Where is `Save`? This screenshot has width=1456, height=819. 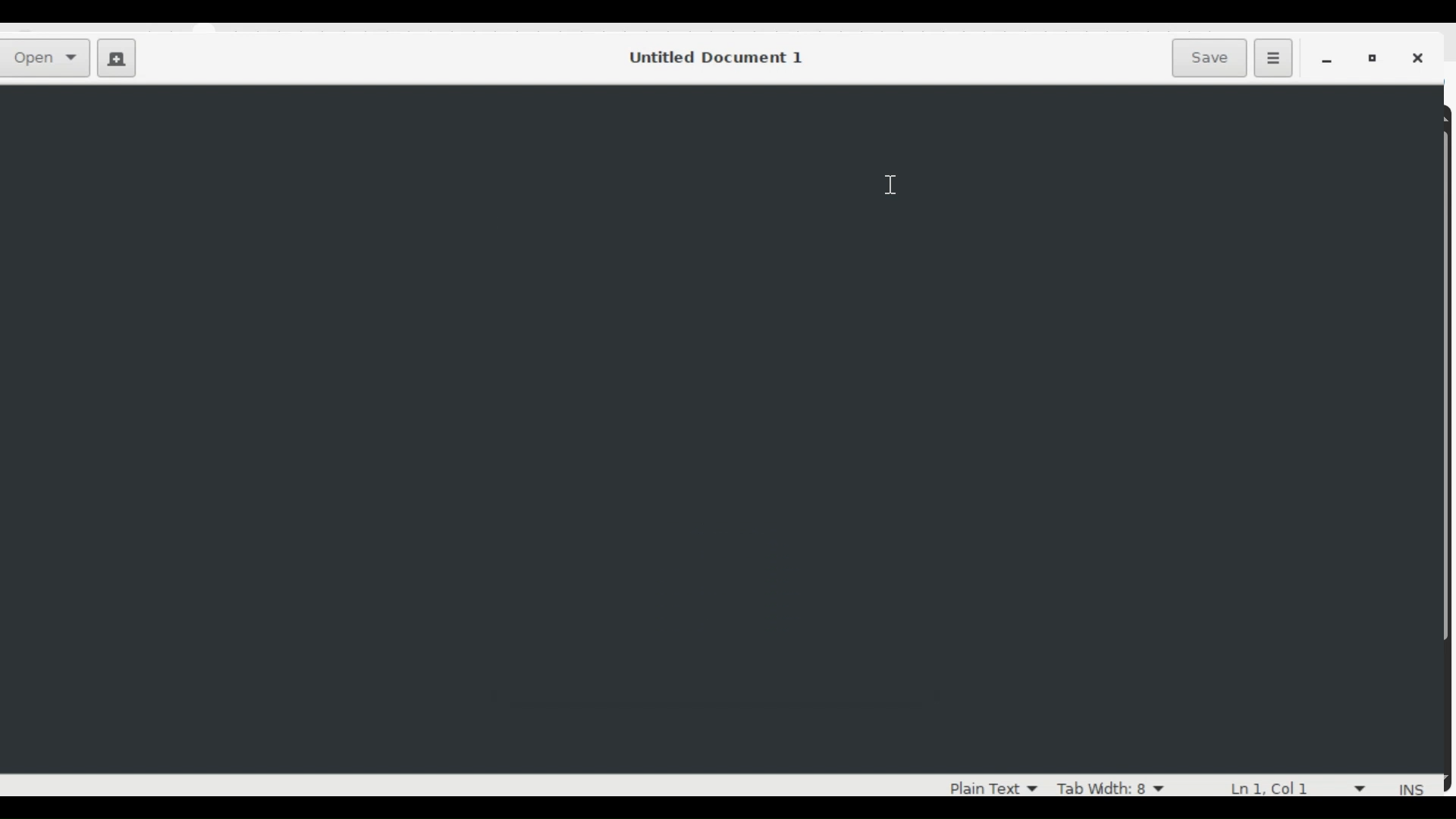
Save is located at coordinates (1212, 57).